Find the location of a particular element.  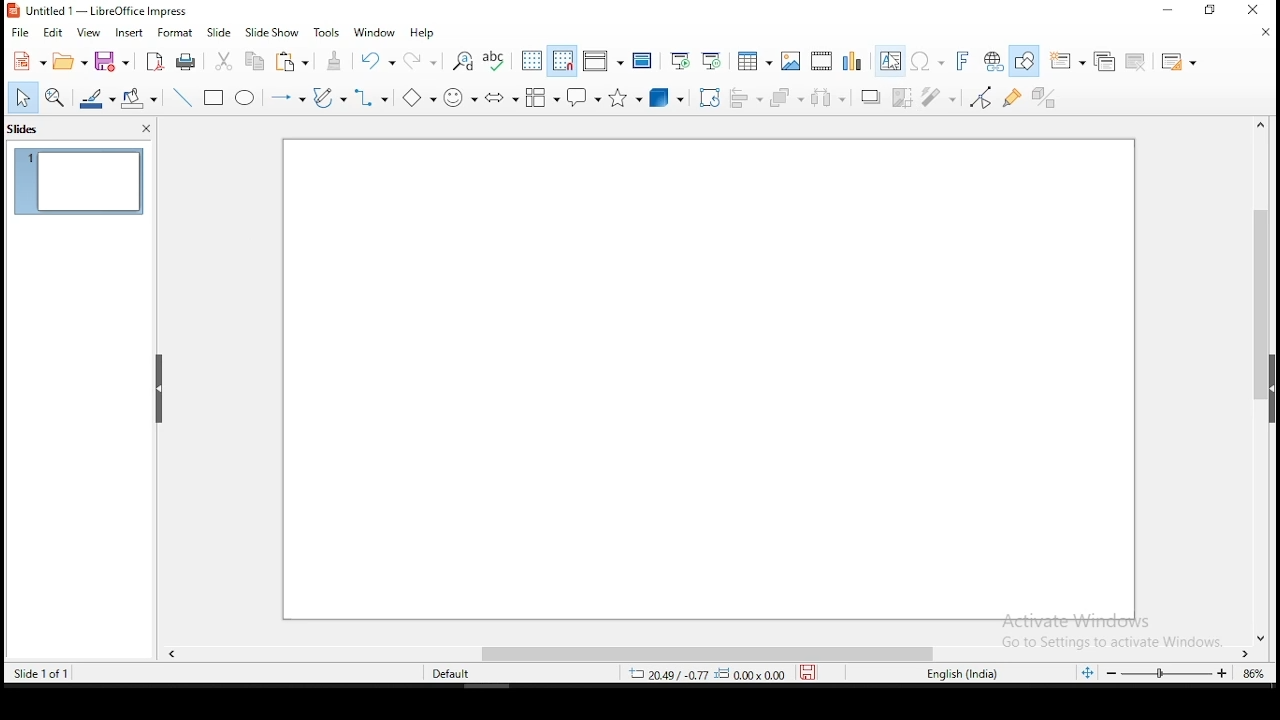

toggle point edit mode is located at coordinates (981, 98).